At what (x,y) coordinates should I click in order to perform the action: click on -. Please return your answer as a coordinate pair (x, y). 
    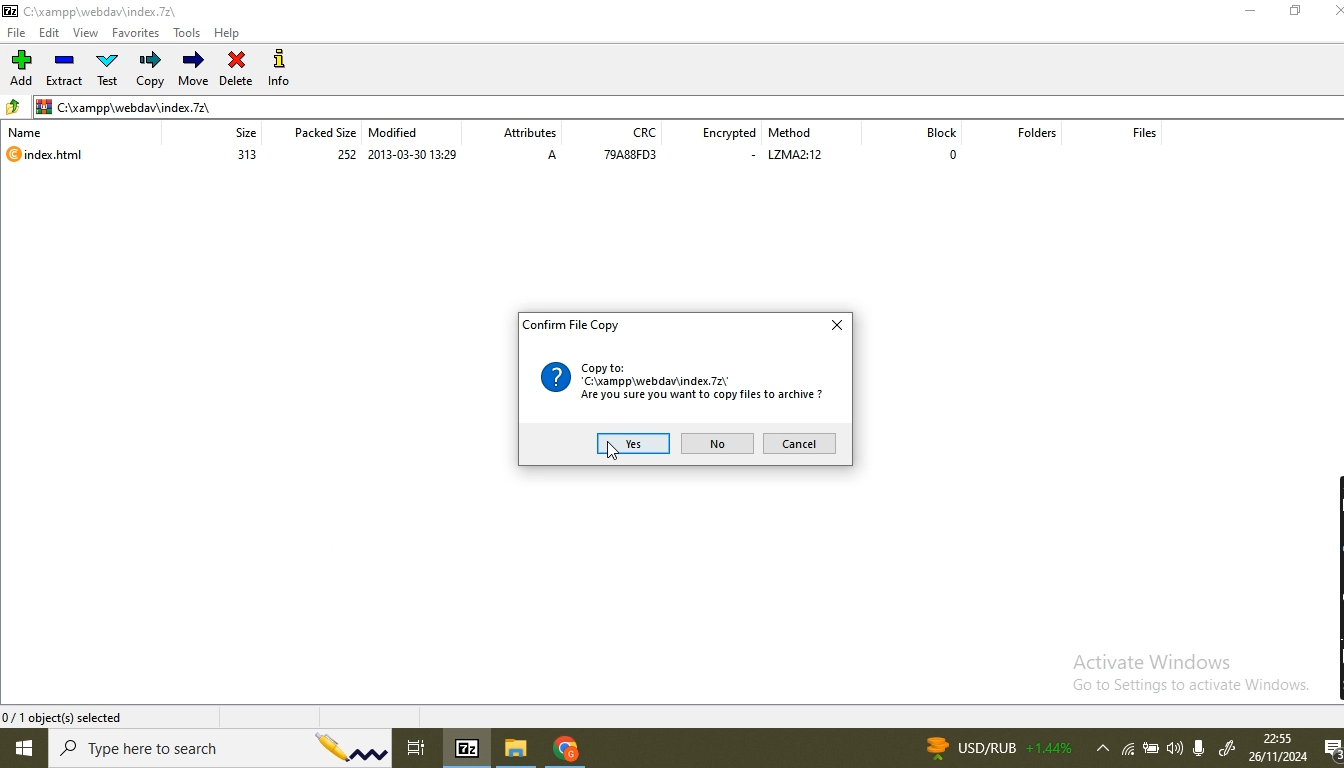
    Looking at the image, I should click on (741, 158).